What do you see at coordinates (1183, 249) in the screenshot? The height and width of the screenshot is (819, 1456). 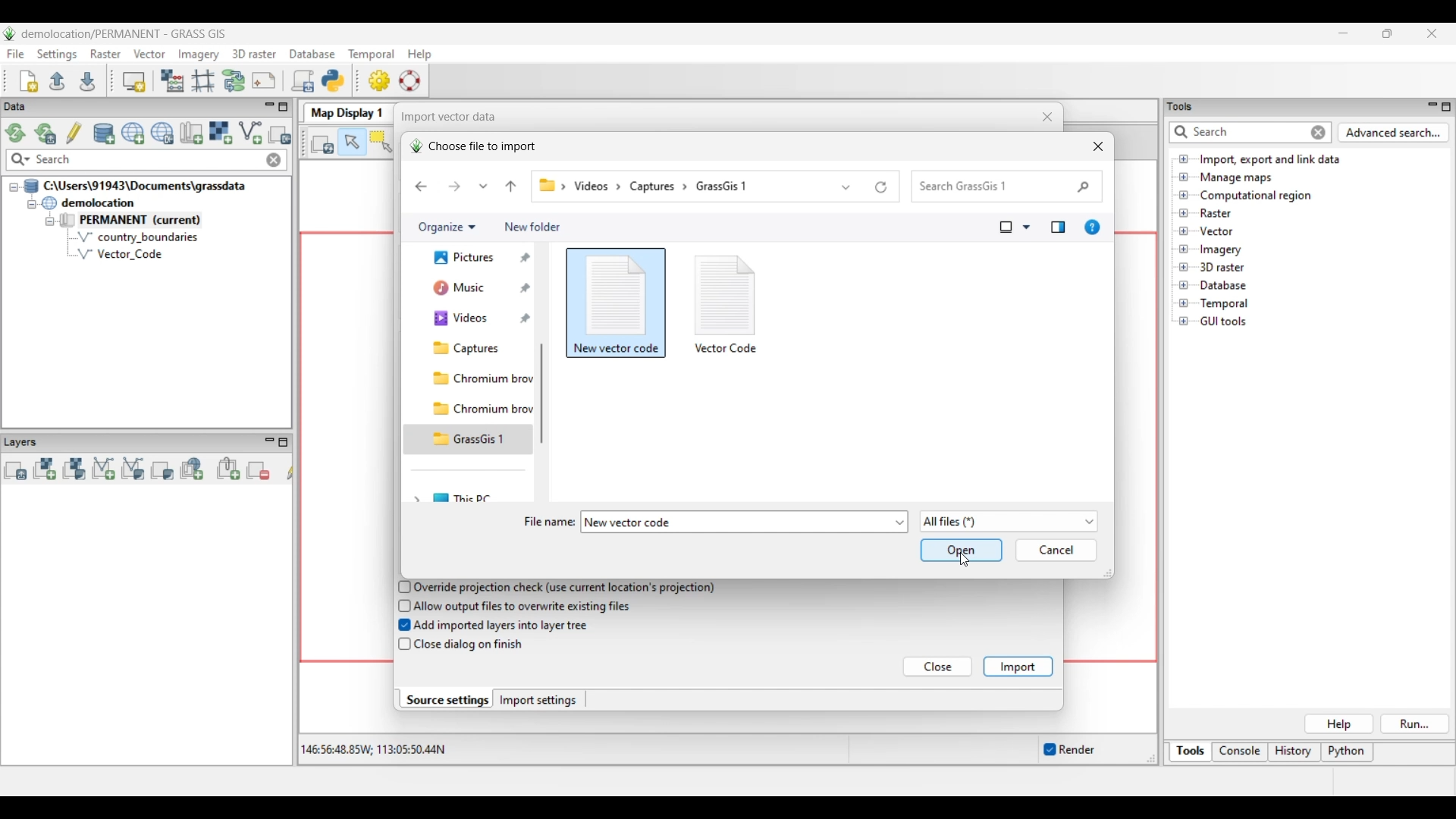 I see `Click to open files under Imagery` at bounding box center [1183, 249].